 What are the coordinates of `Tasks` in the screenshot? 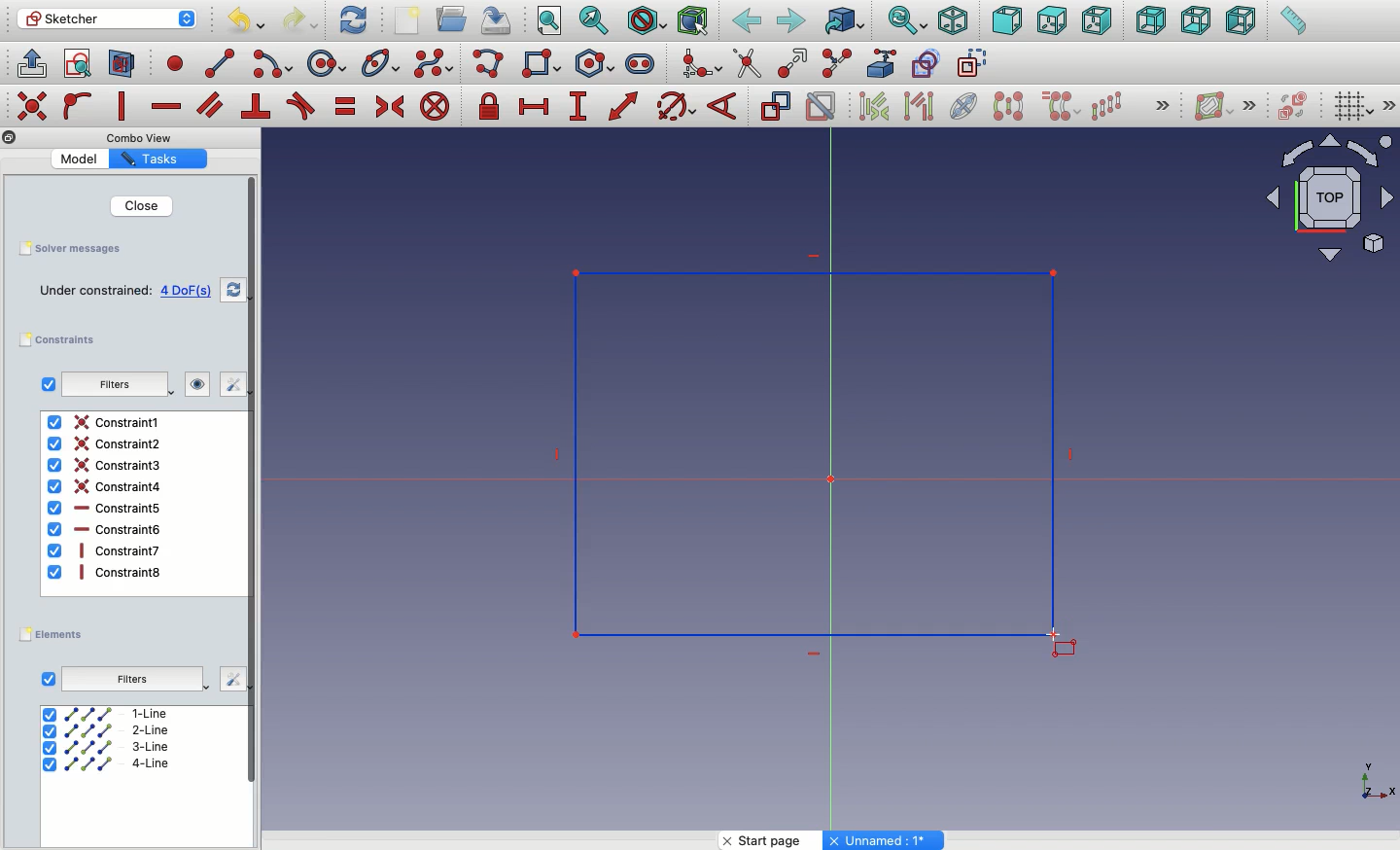 It's located at (155, 159).